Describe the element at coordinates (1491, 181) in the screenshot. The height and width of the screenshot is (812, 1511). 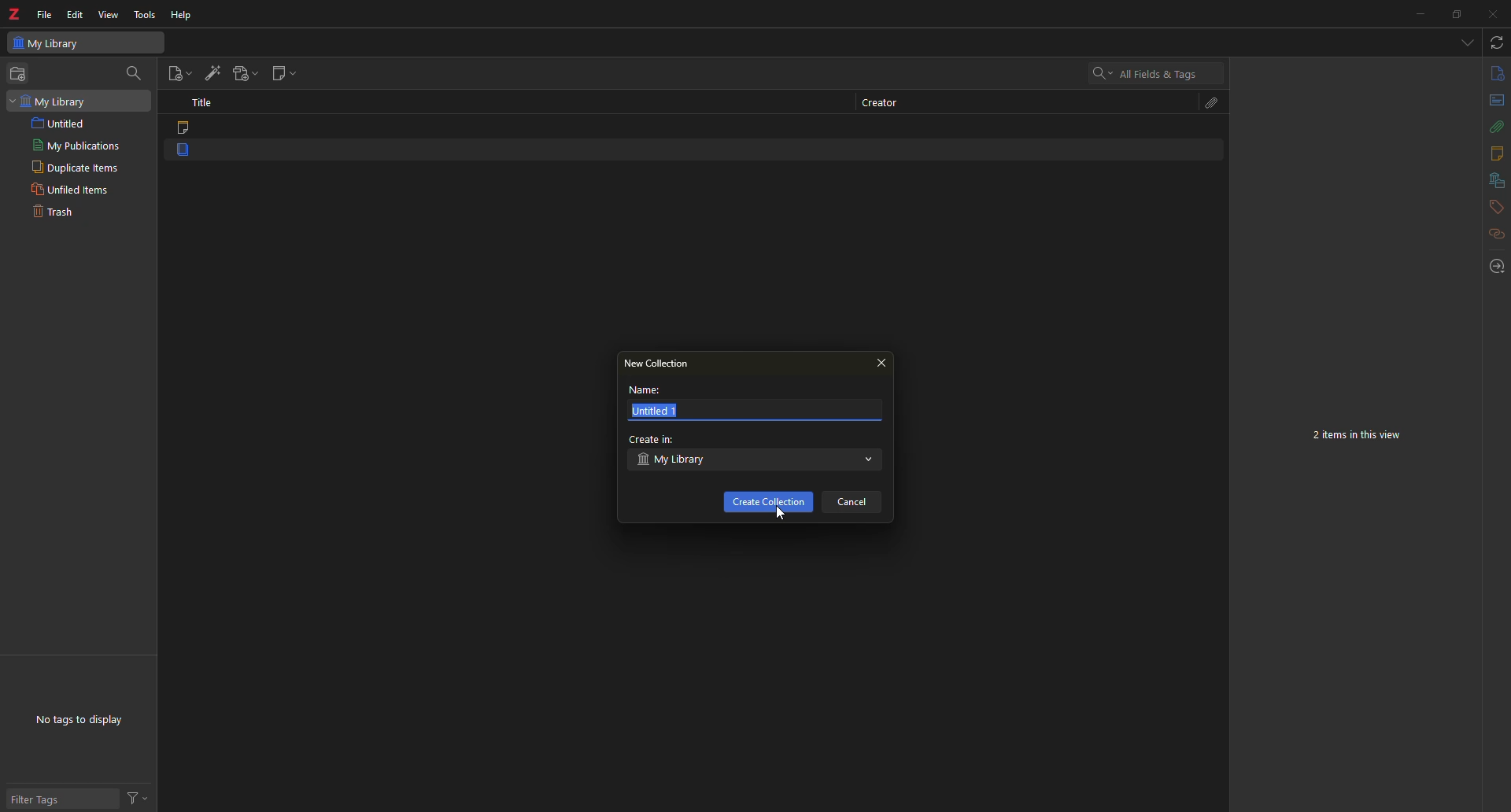
I see `library` at that location.